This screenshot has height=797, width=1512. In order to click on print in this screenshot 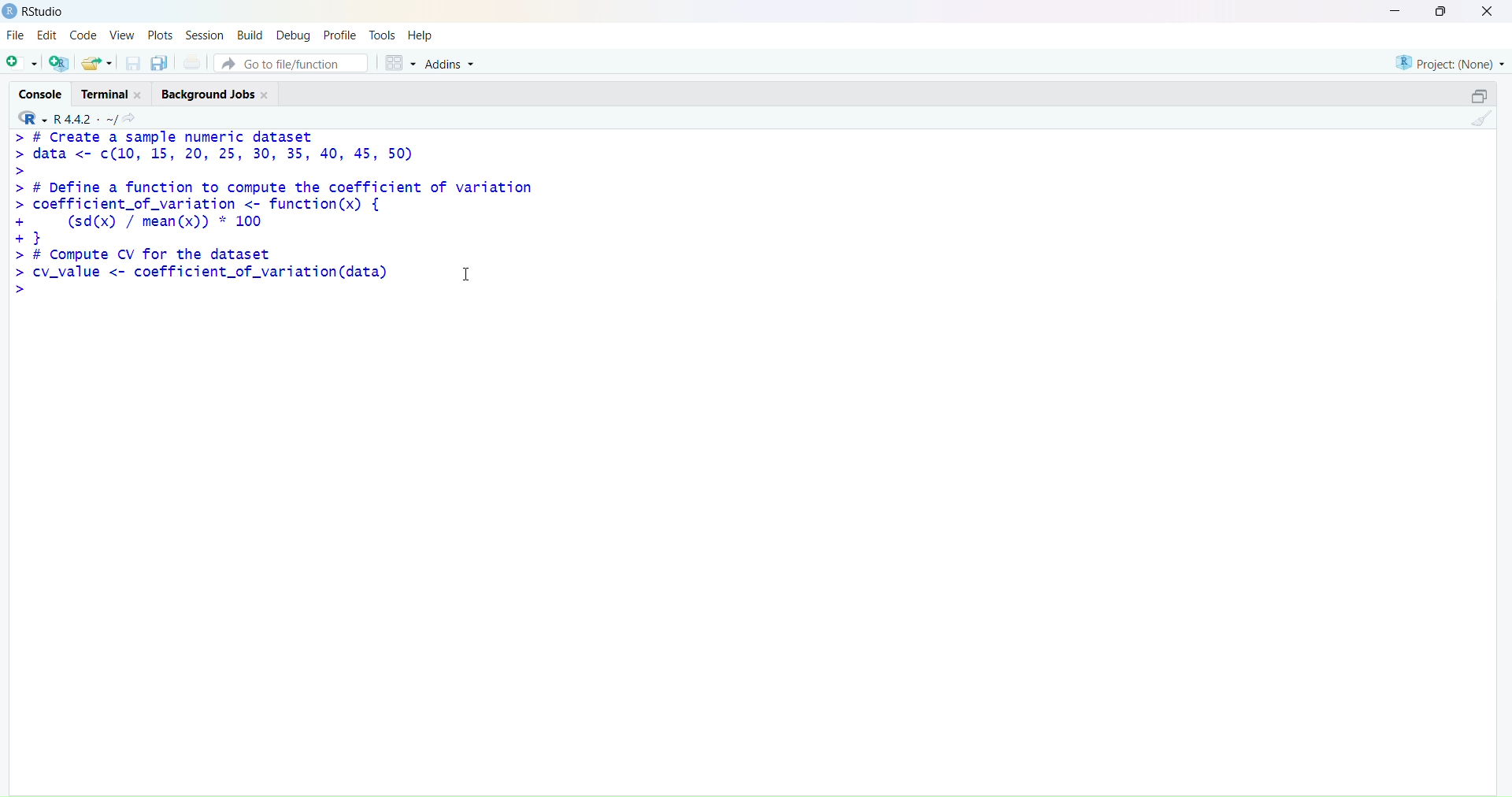, I will do `click(193, 62)`.